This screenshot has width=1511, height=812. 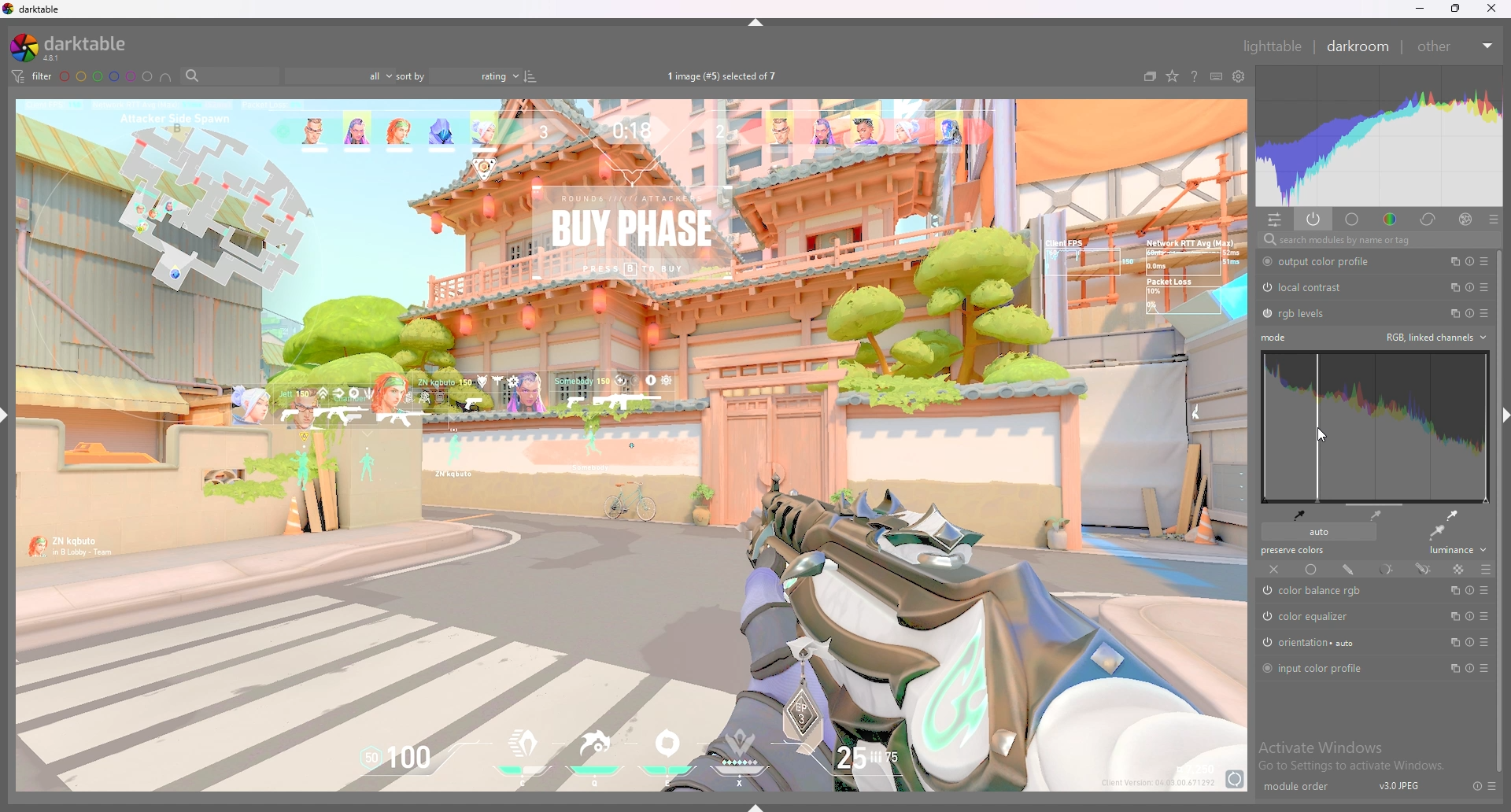 What do you see at coordinates (1295, 551) in the screenshot?
I see `preserve colors` at bounding box center [1295, 551].